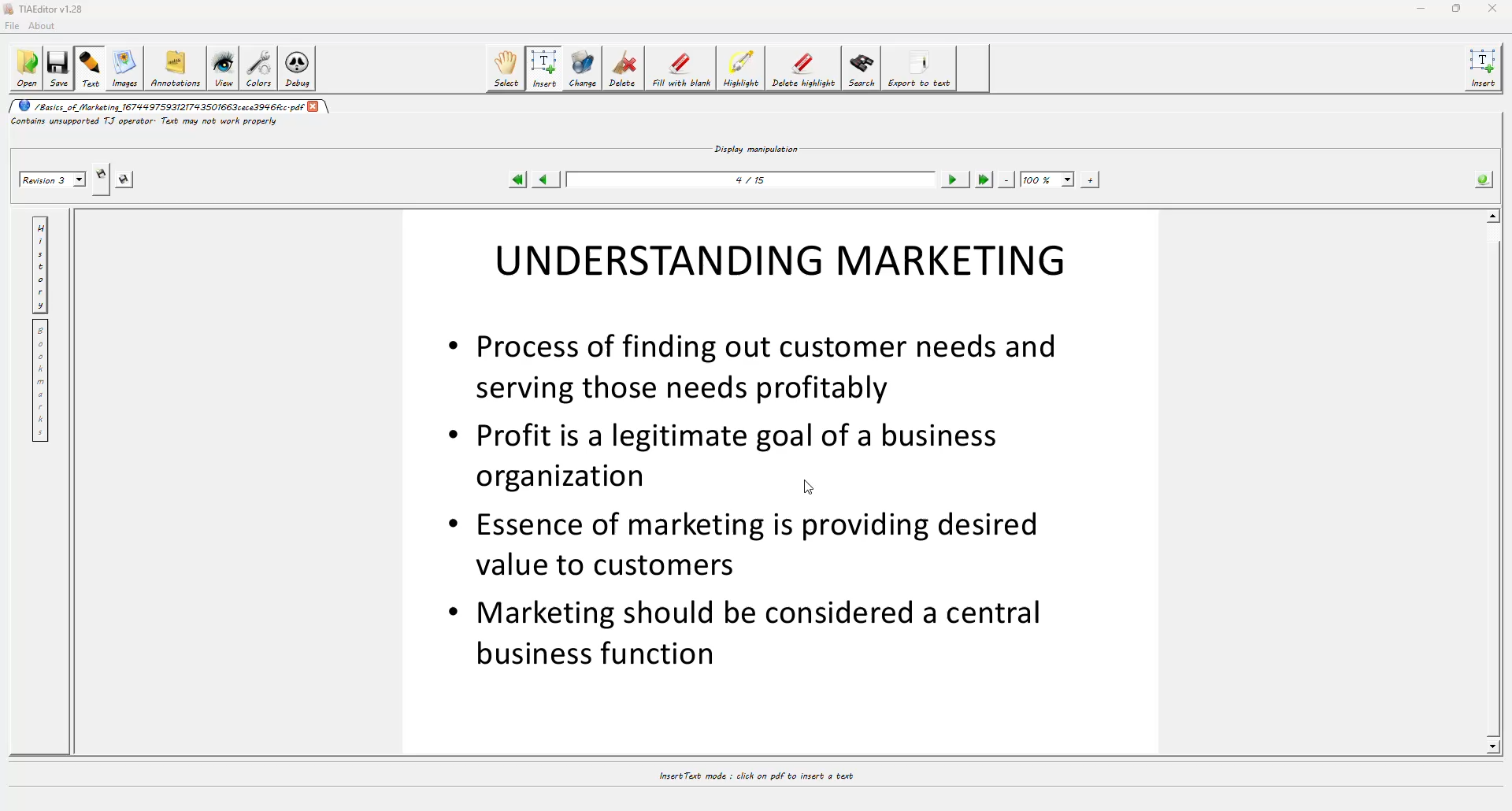 This screenshot has width=1512, height=811. I want to click on maximize, so click(1456, 9).